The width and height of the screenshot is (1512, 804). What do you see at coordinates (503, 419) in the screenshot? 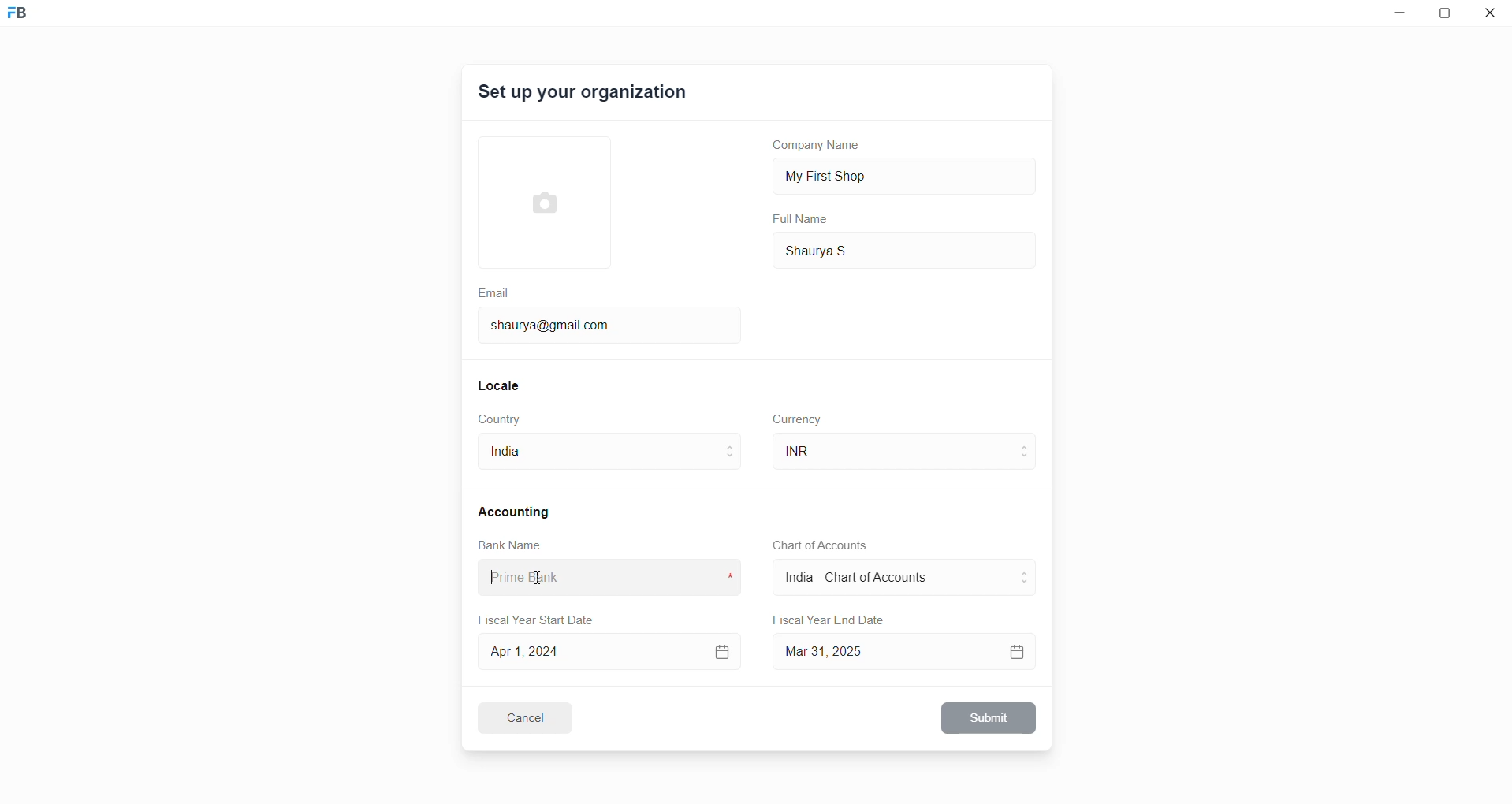
I see `Country` at bounding box center [503, 419].